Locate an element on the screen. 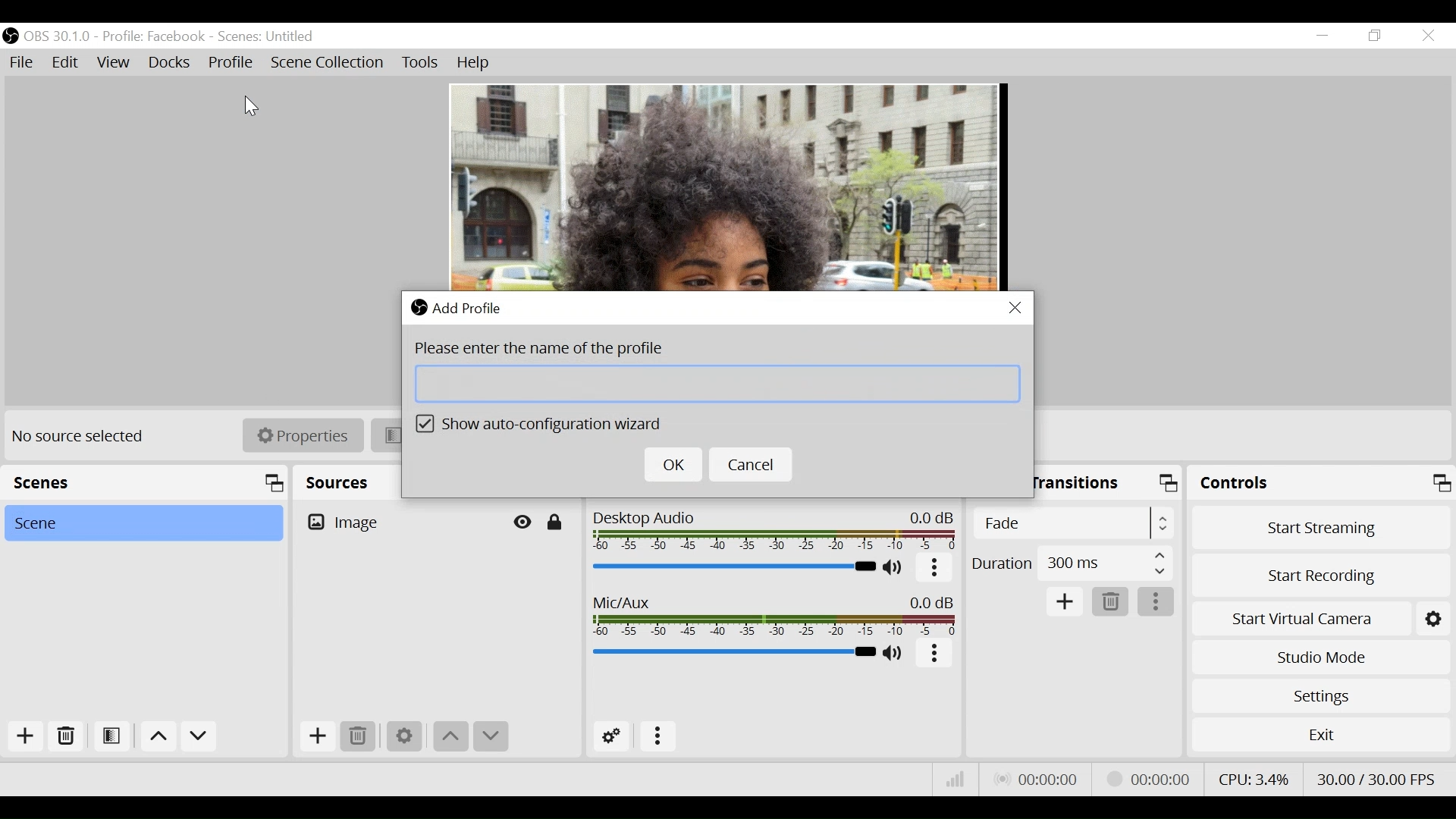 The width and height of the screenshot is (1456, 819). Desktop Audio is located at coordinates (776, 532).